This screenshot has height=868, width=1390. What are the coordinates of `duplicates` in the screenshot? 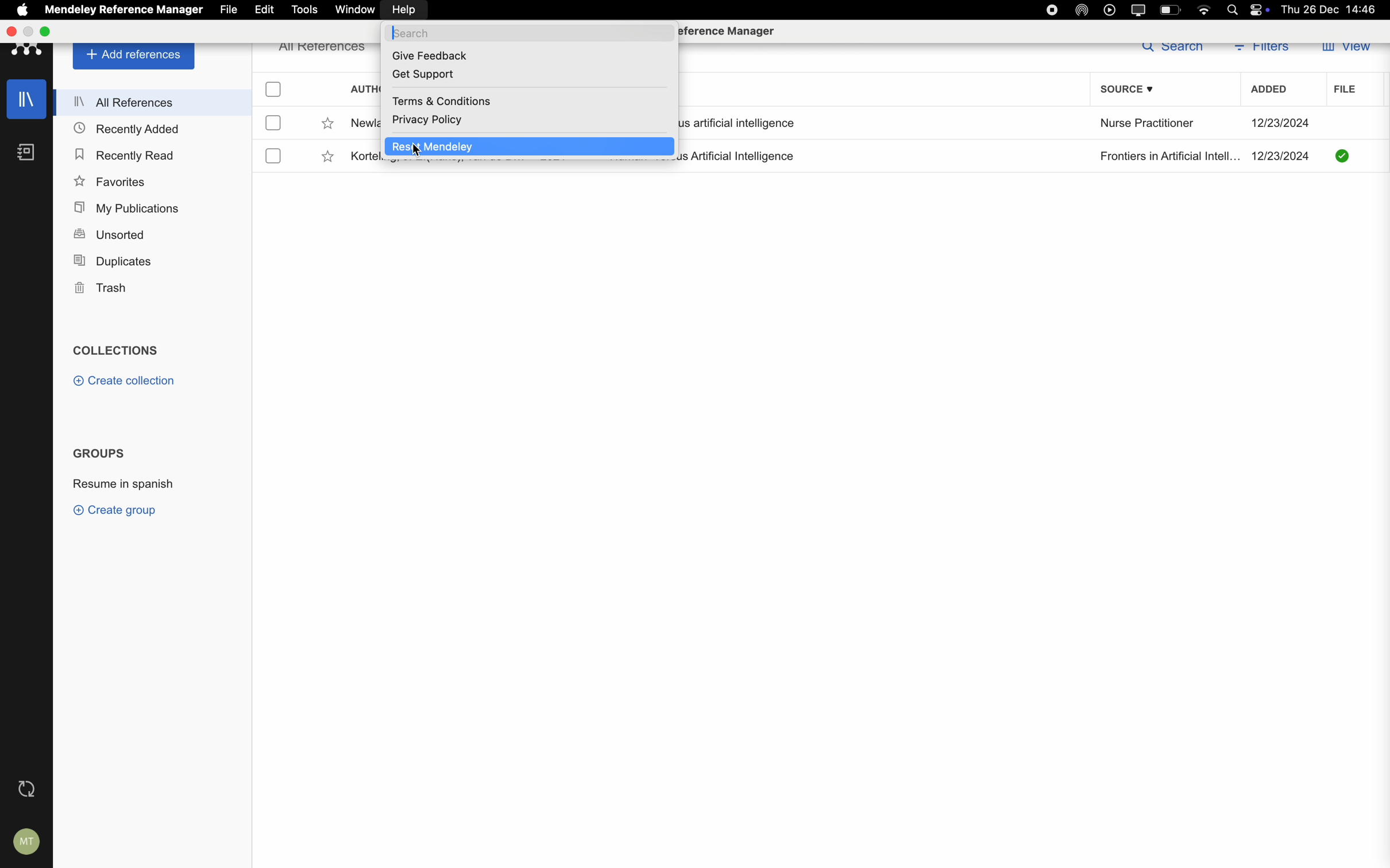 It's located at (114, 260).